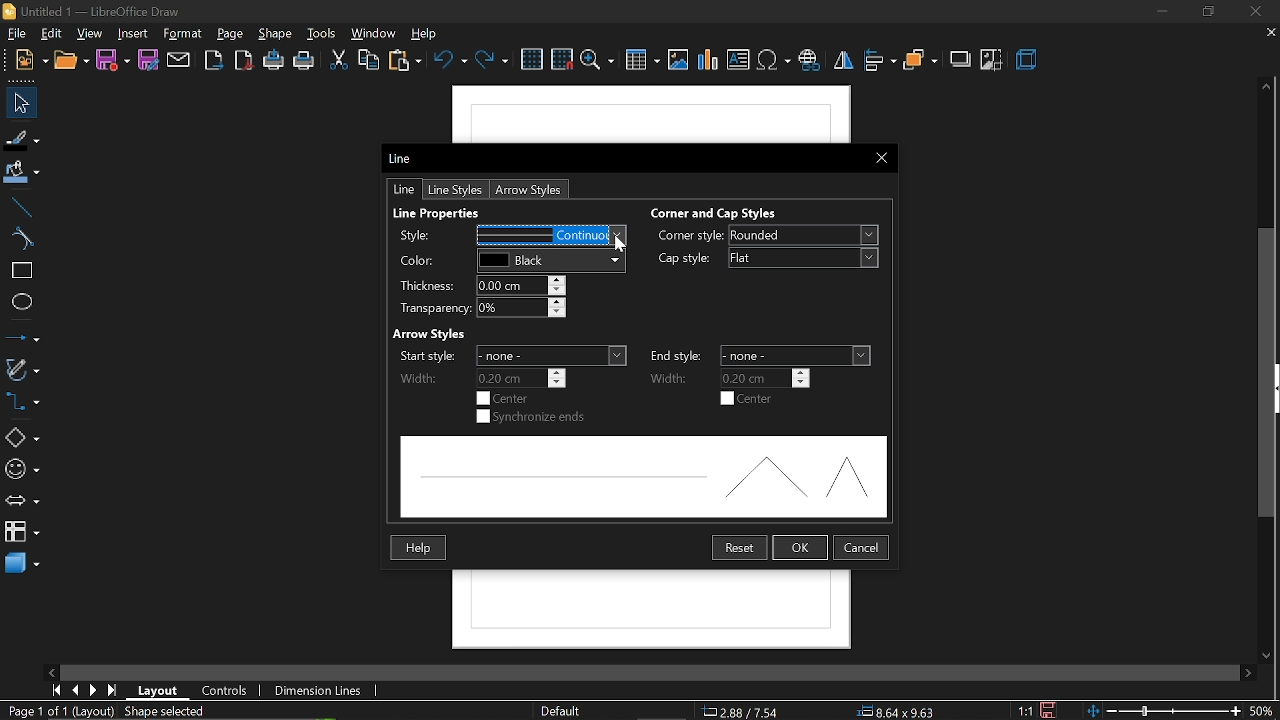  What do you see at coordinates (763, 236) in the screenshot?
I see `corner style` at bounding box center [763, 236].